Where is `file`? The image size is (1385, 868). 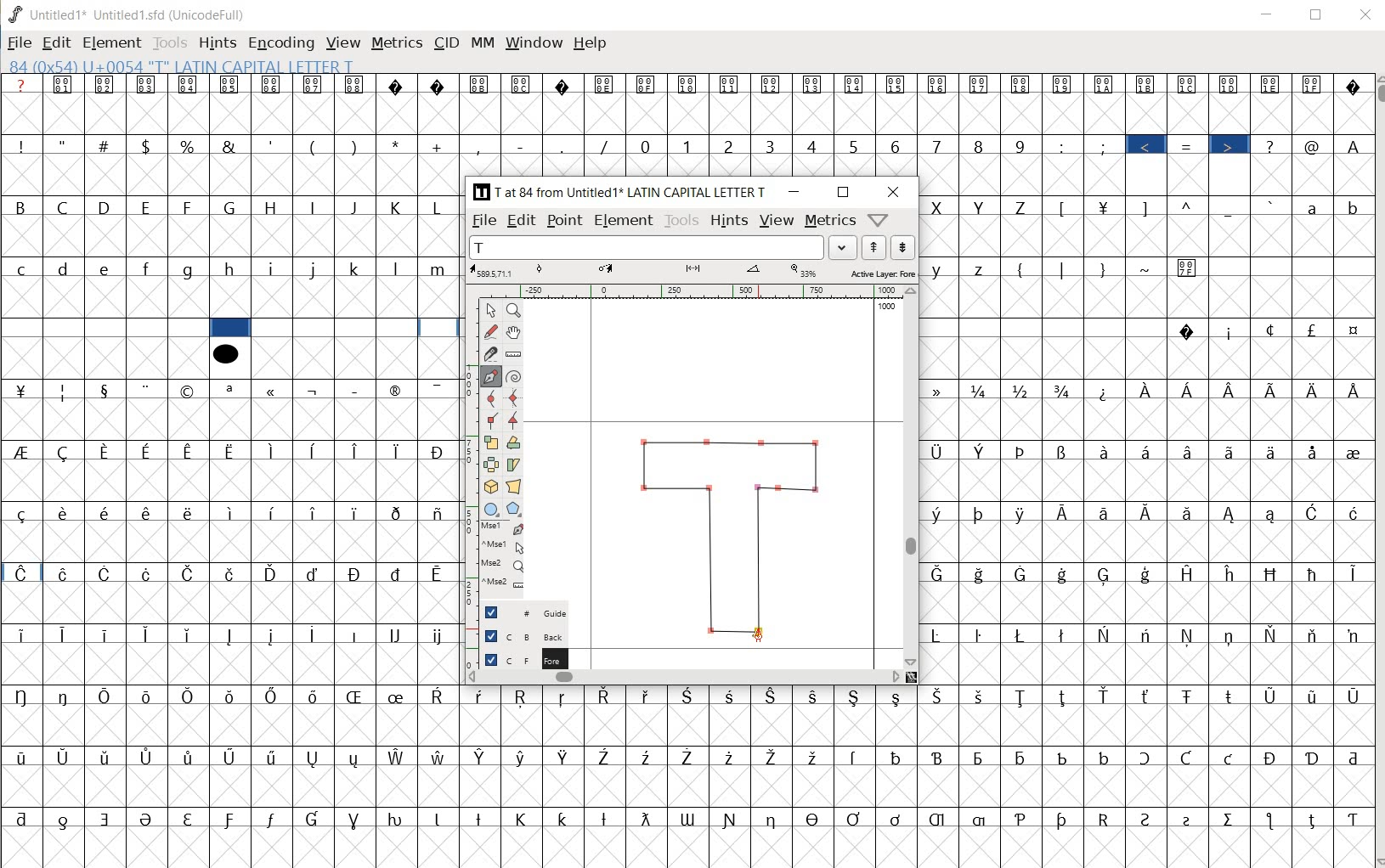
file is located at coordinates (20, 44).